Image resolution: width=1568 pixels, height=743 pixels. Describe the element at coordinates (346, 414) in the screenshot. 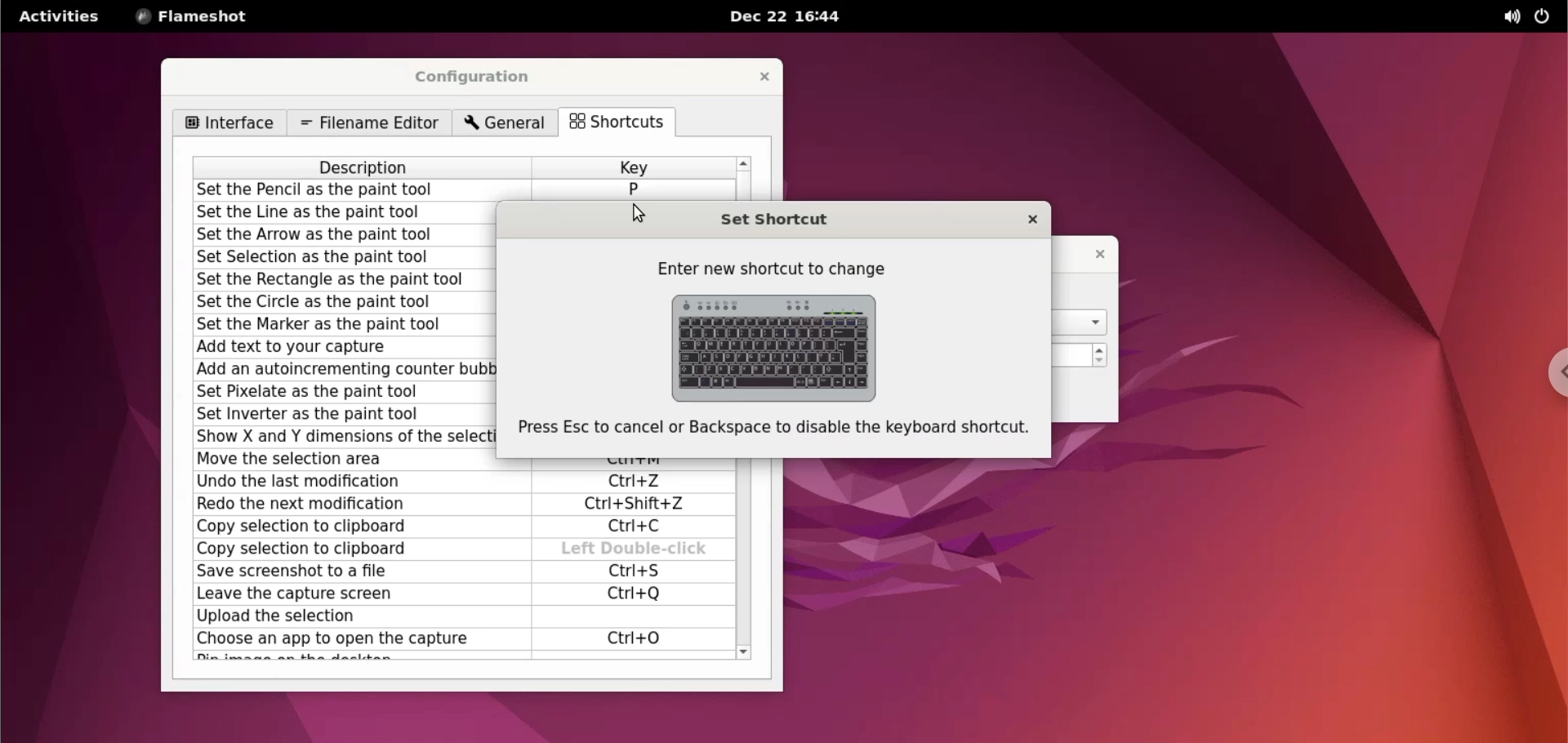

I see `set inverter as paint tool` at that location.